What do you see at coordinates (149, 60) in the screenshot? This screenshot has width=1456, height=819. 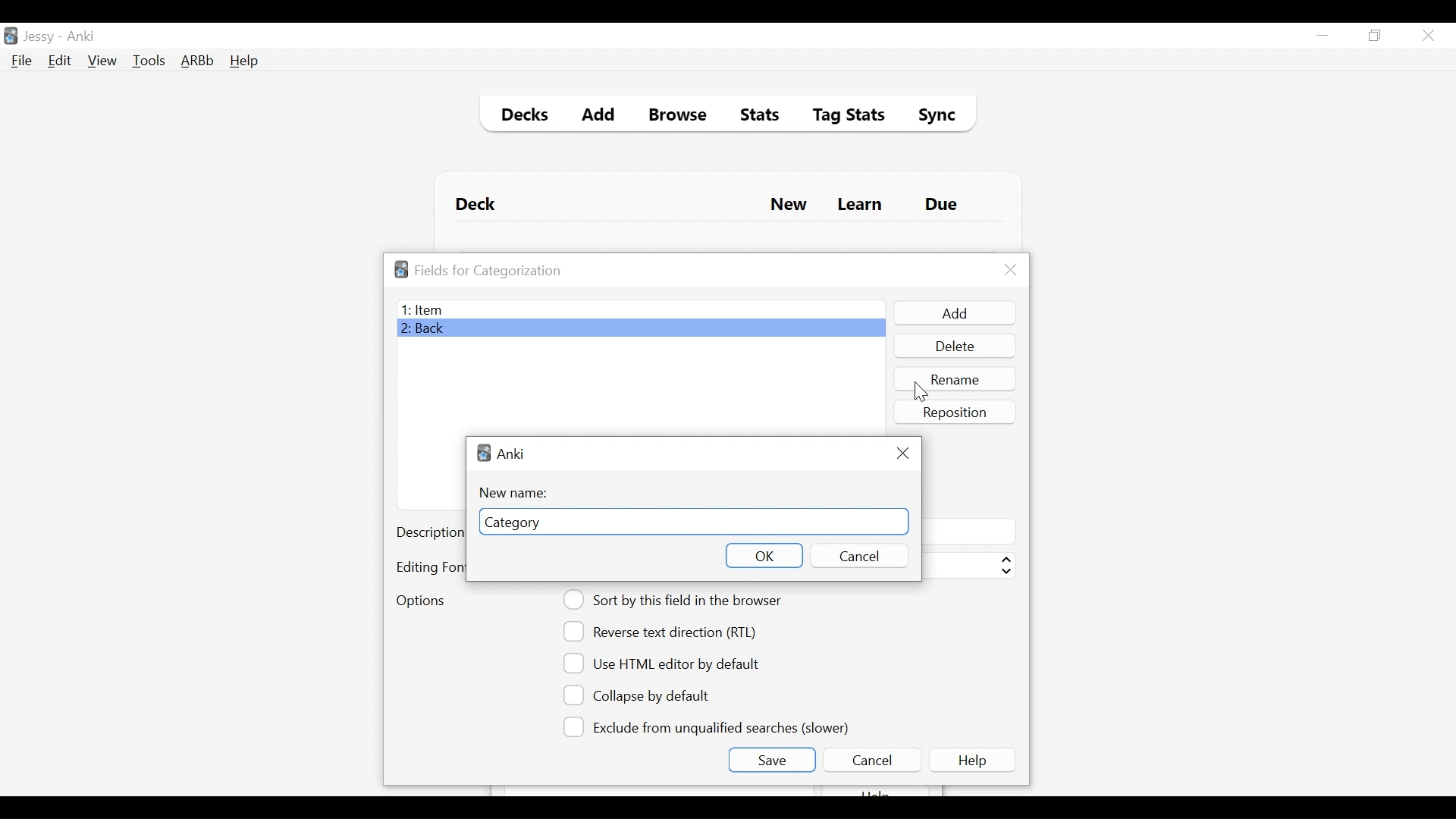 I see `Tools` at bounding box center [149, 60].